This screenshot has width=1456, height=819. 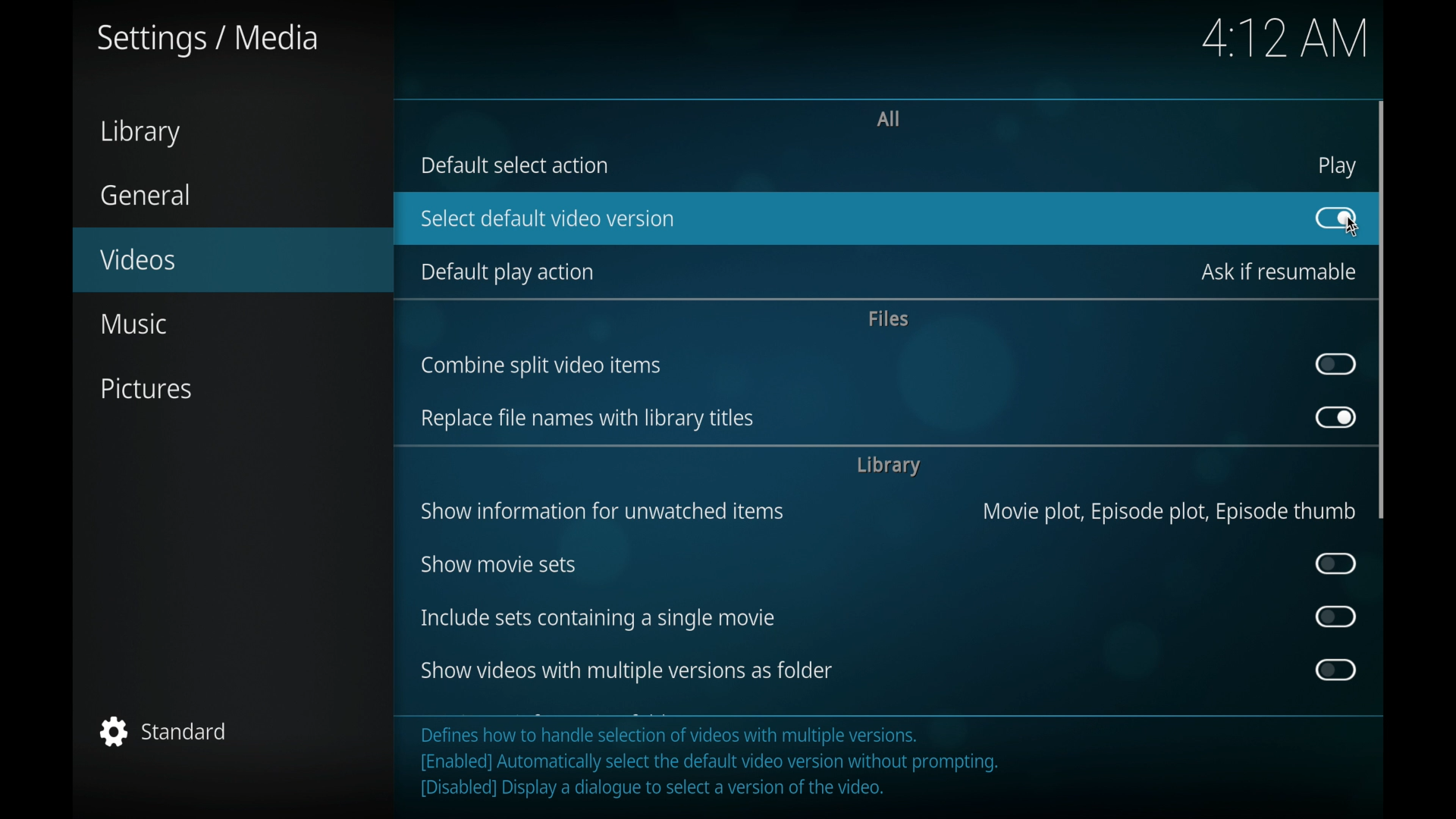 I want to click on show movie sets, so click(x=497, y=565).